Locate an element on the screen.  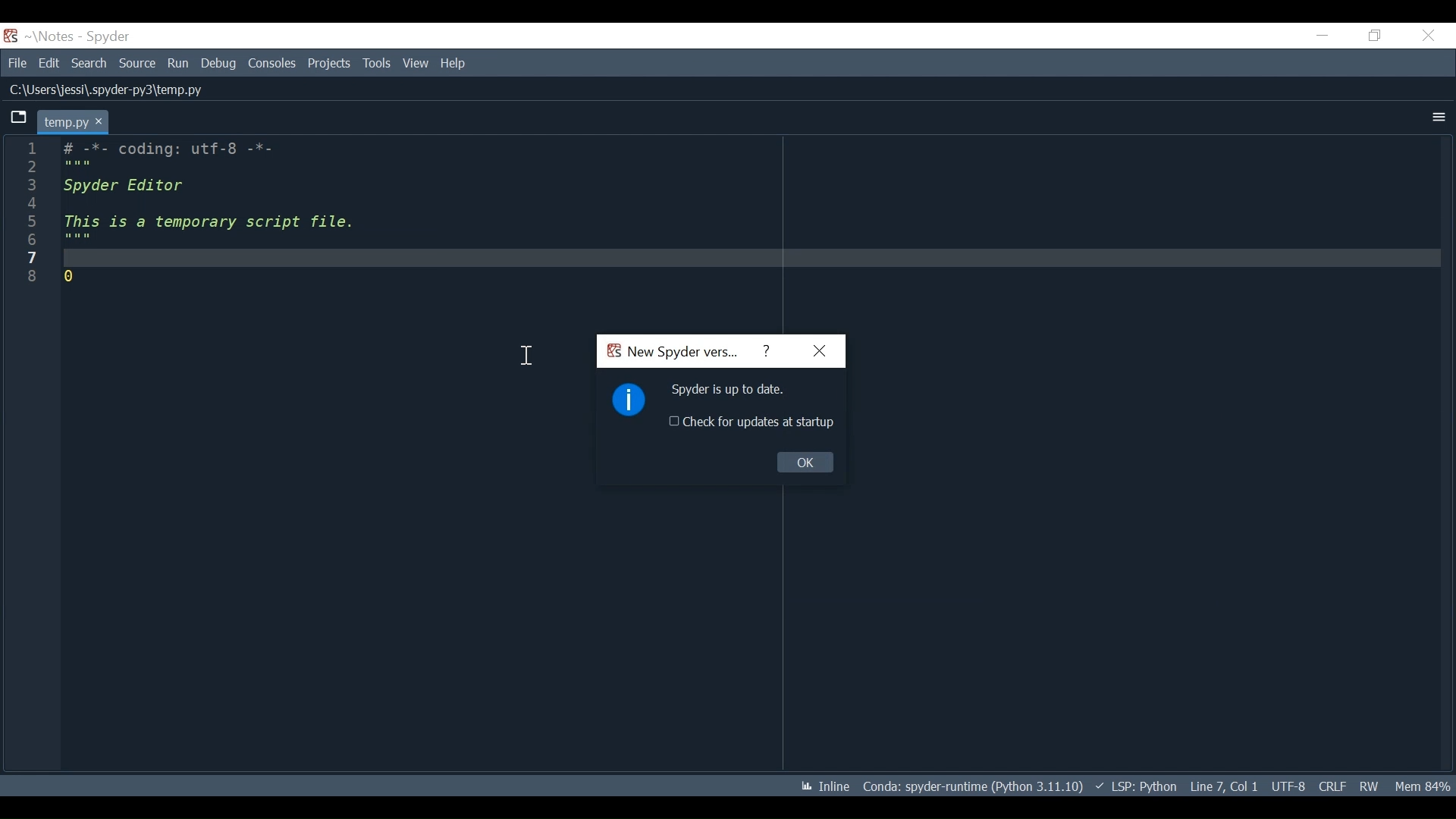
cursor is located at coordinates (527, 355).